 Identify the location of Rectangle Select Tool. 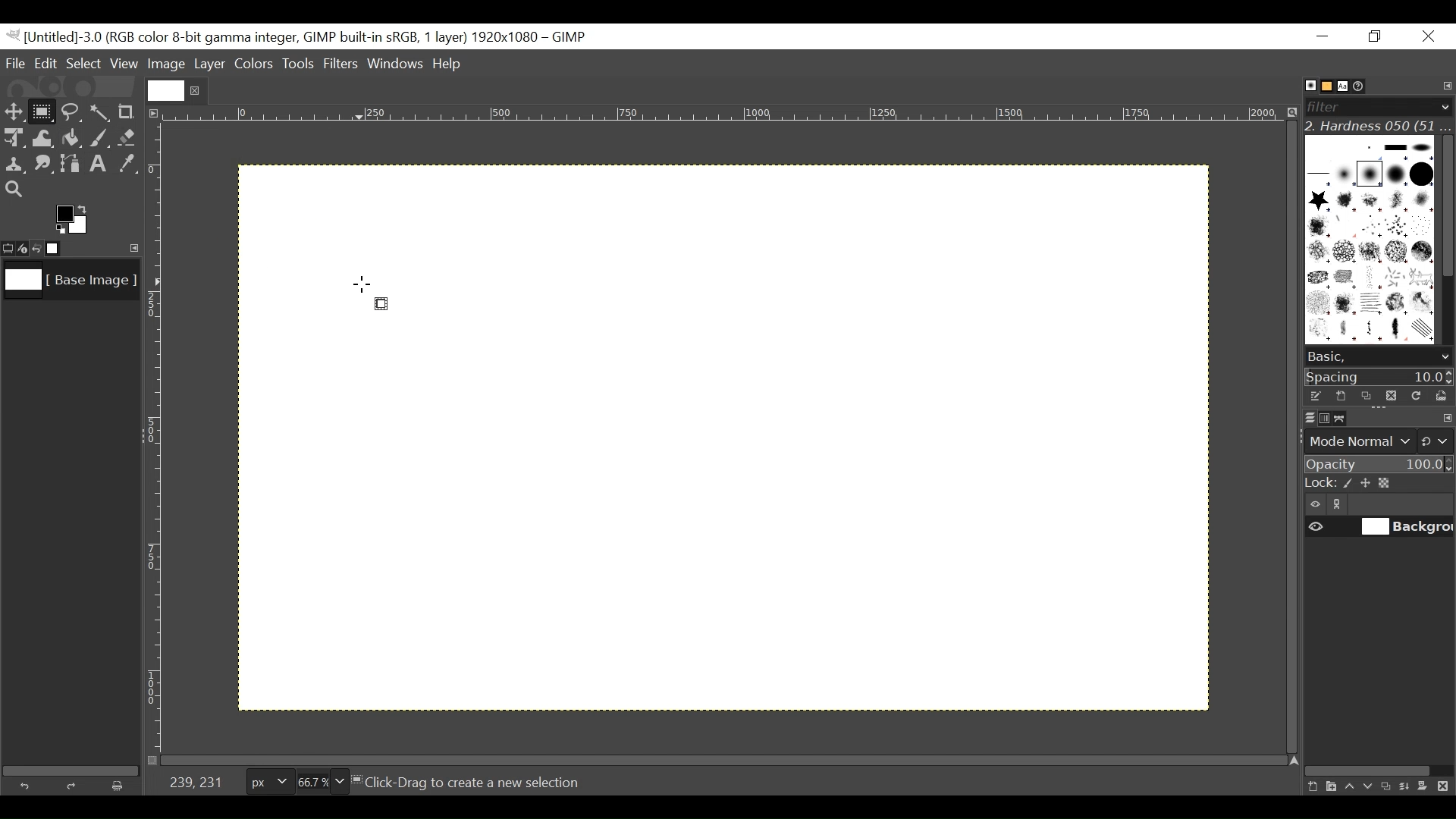
(42, 111).